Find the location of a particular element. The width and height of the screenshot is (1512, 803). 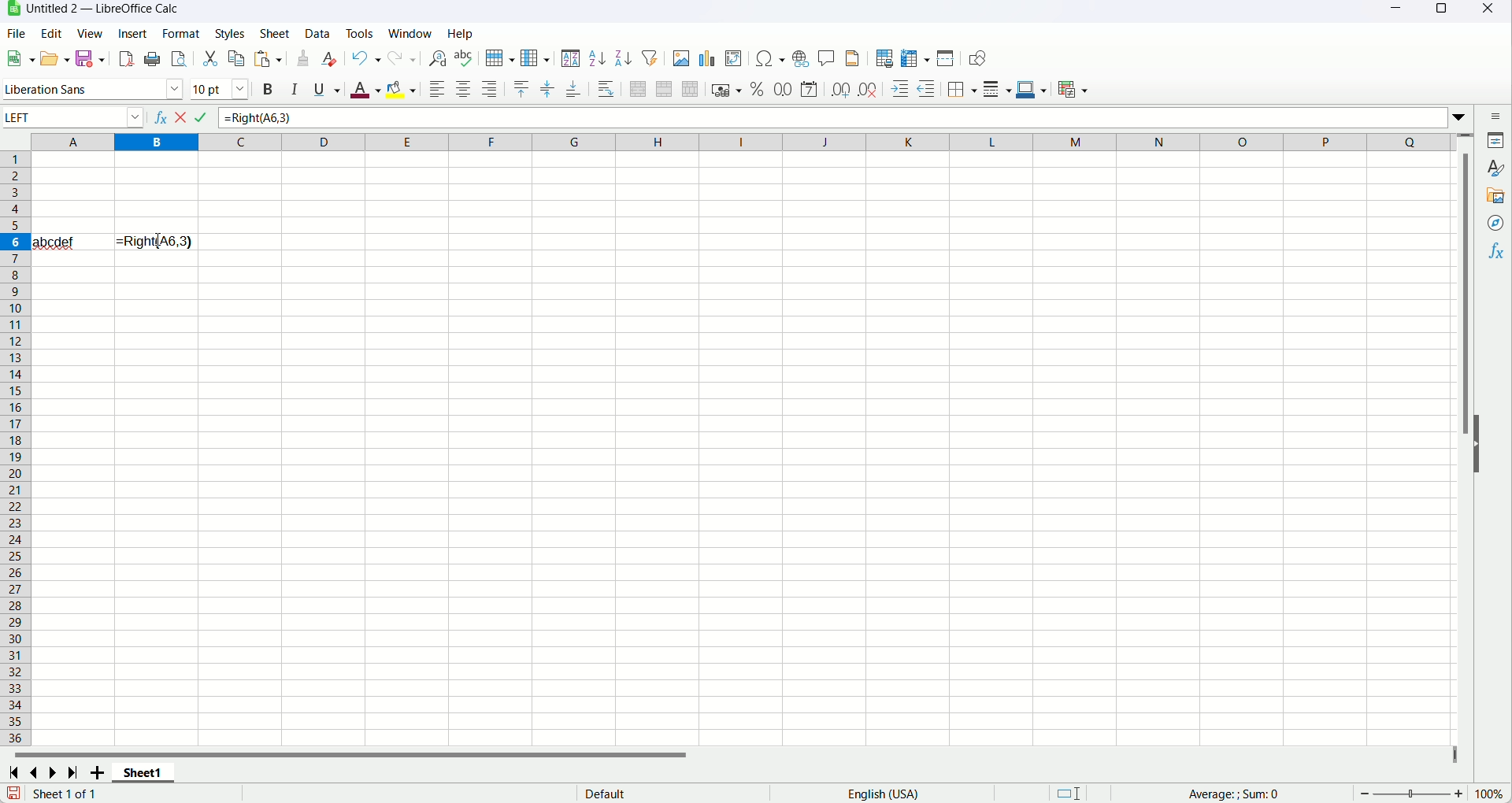

spelling is located at coordinates (463, 57).